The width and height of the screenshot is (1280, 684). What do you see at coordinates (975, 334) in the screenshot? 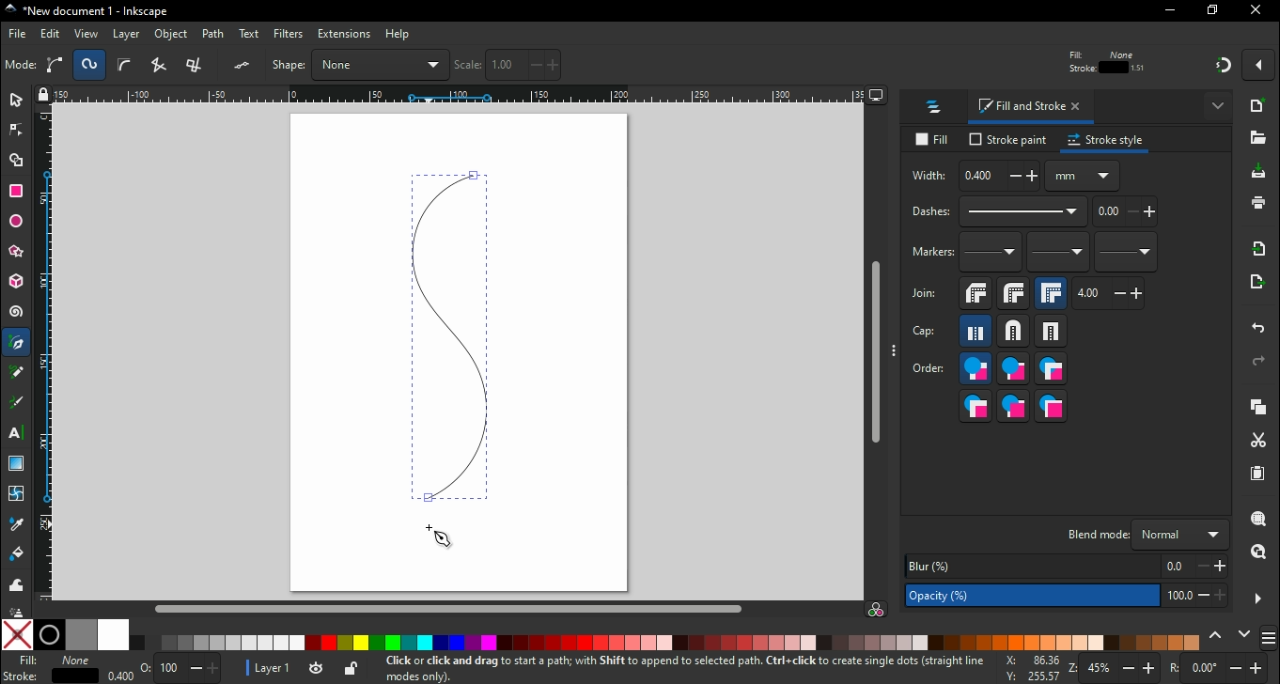
I see `butt` at bounding box center [975, 334].